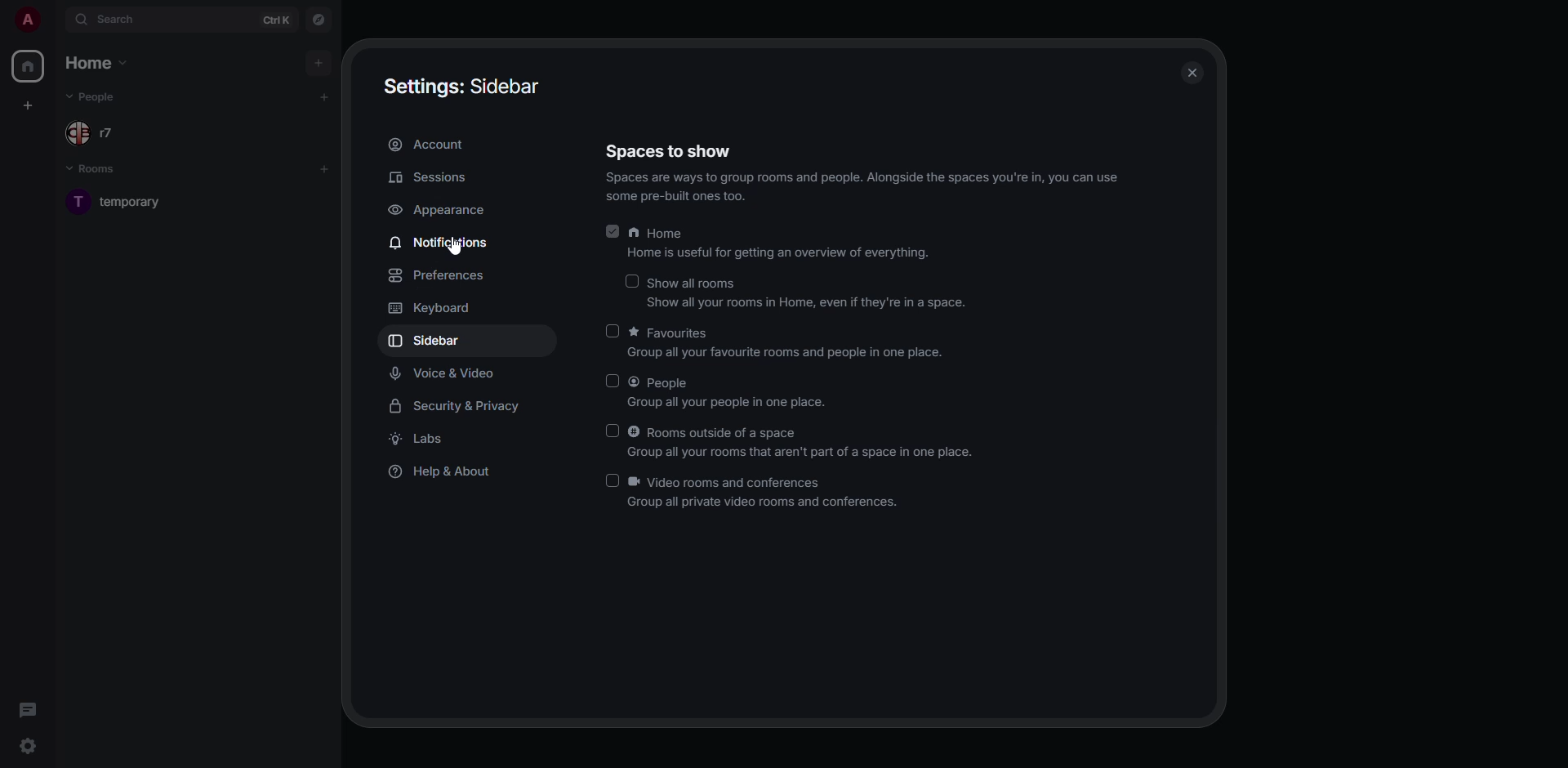 The image size is (1568, 768). Describe the element at coordinates (629, 281) in the screenshot. I see `click to enable` at that location.